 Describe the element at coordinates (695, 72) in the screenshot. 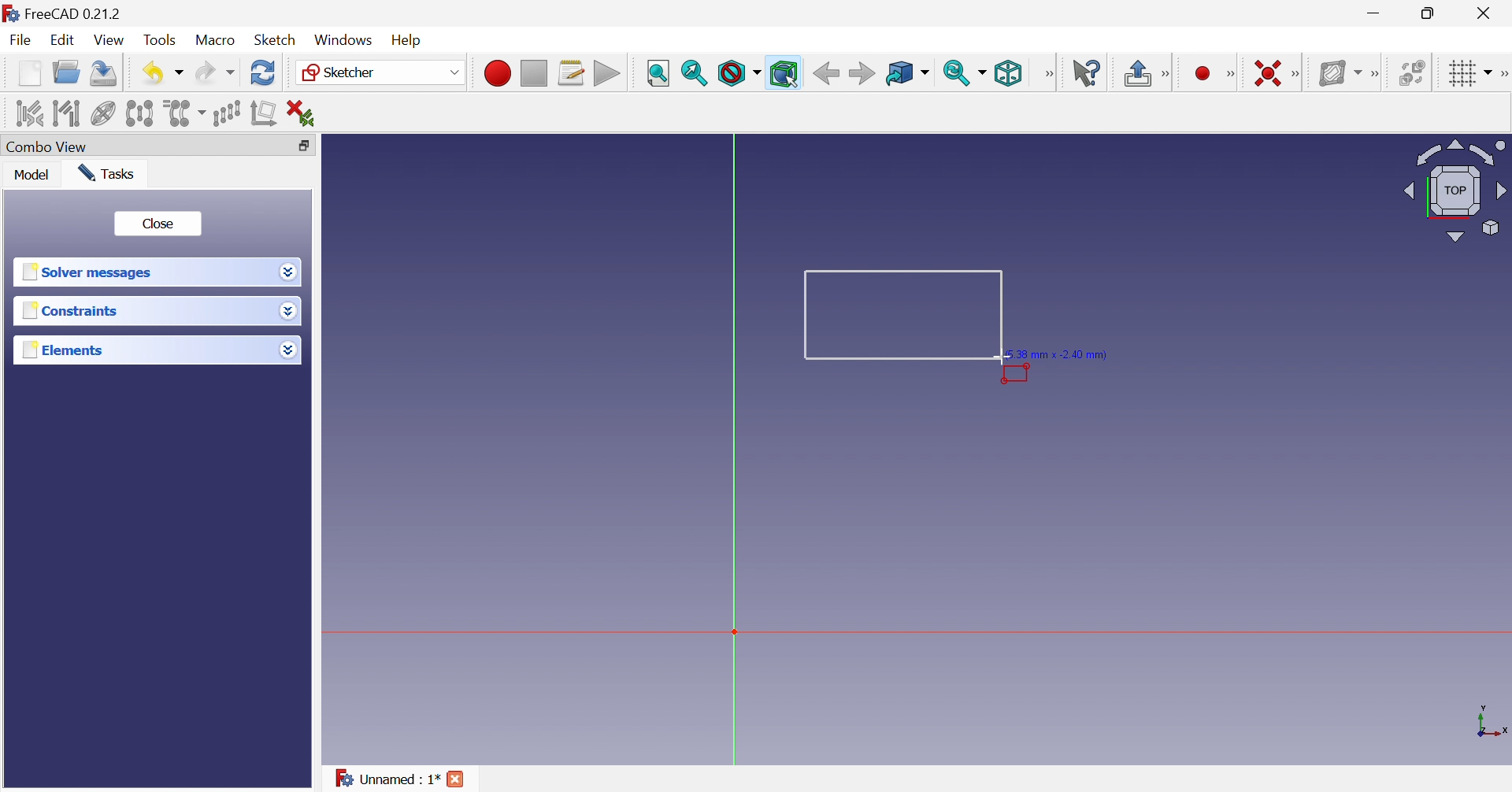

I see `Fit selection` at that location.